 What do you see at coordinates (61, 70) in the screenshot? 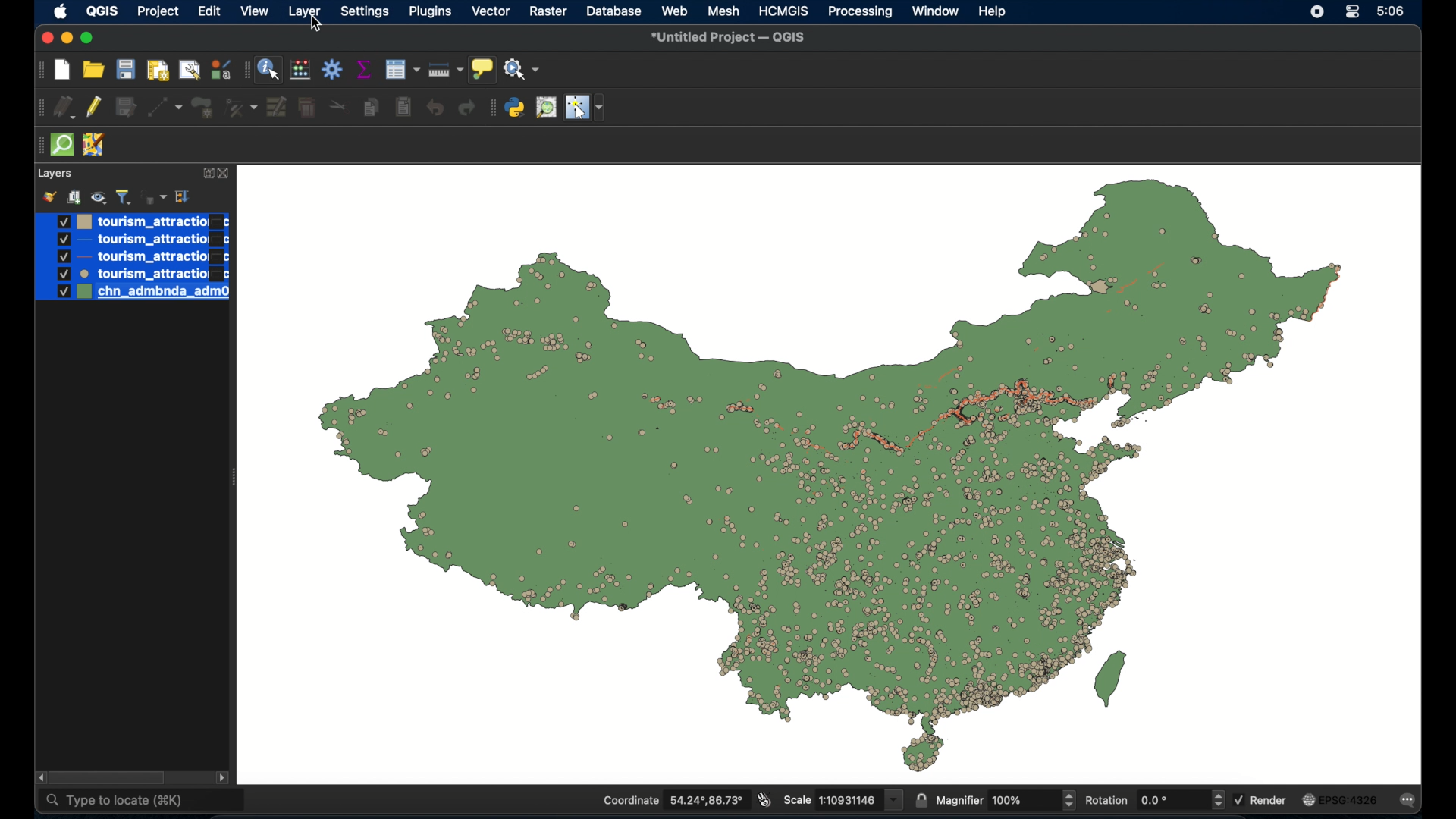
I see `new project` at bounding box center [61, 70].